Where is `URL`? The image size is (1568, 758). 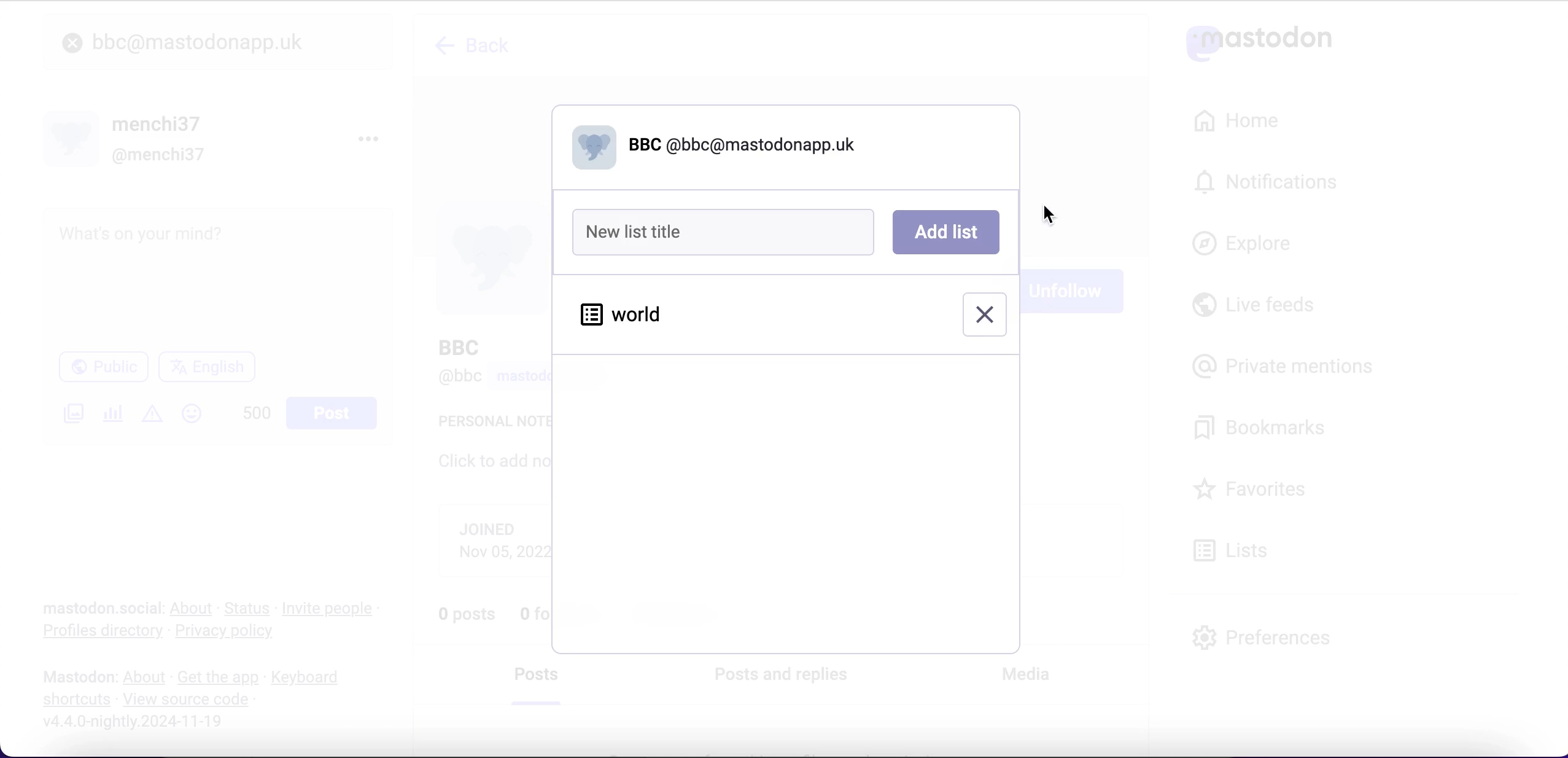
URL is located at coordinates (182, 744).